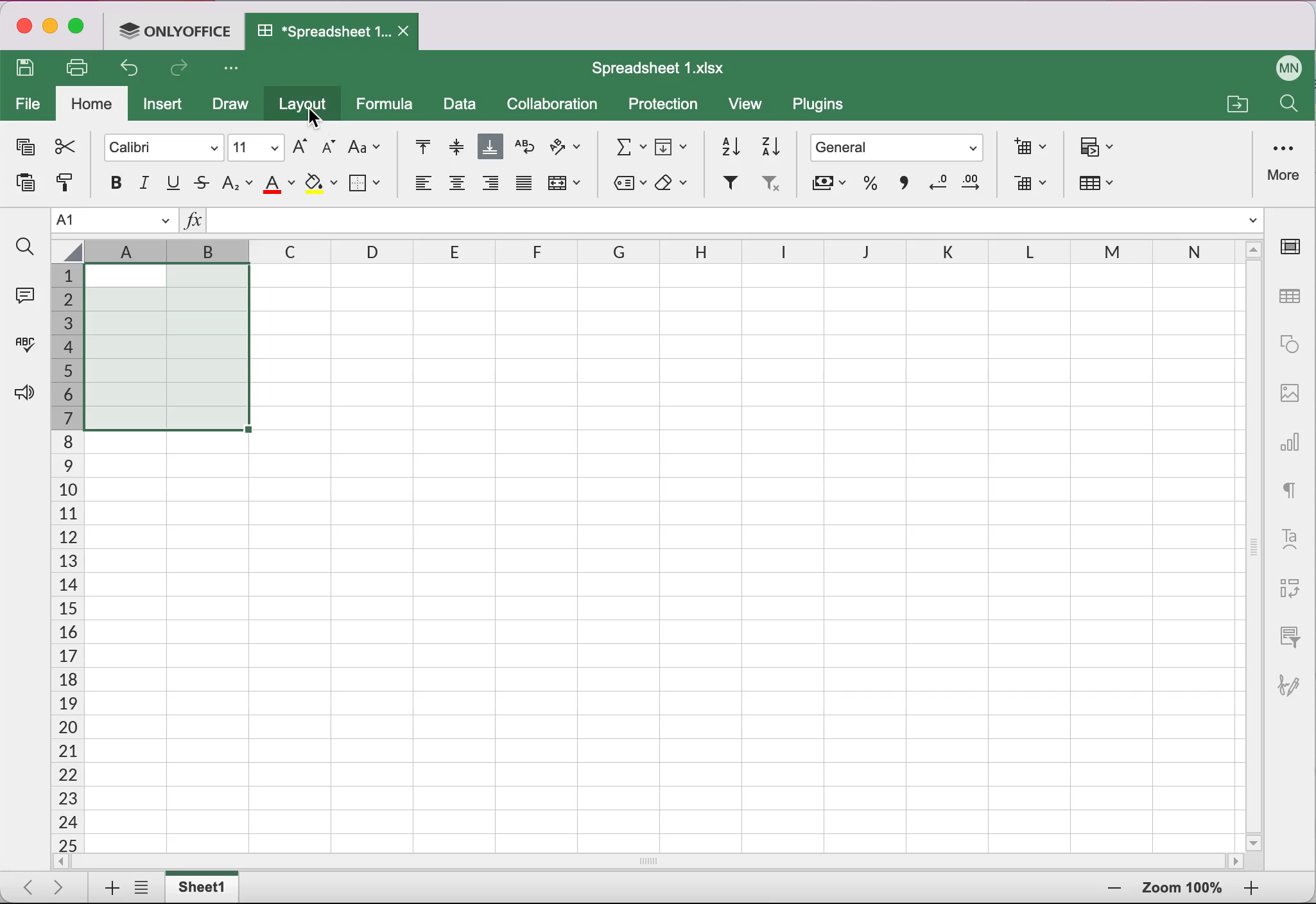  I want to click on insert, so click(166, 107).